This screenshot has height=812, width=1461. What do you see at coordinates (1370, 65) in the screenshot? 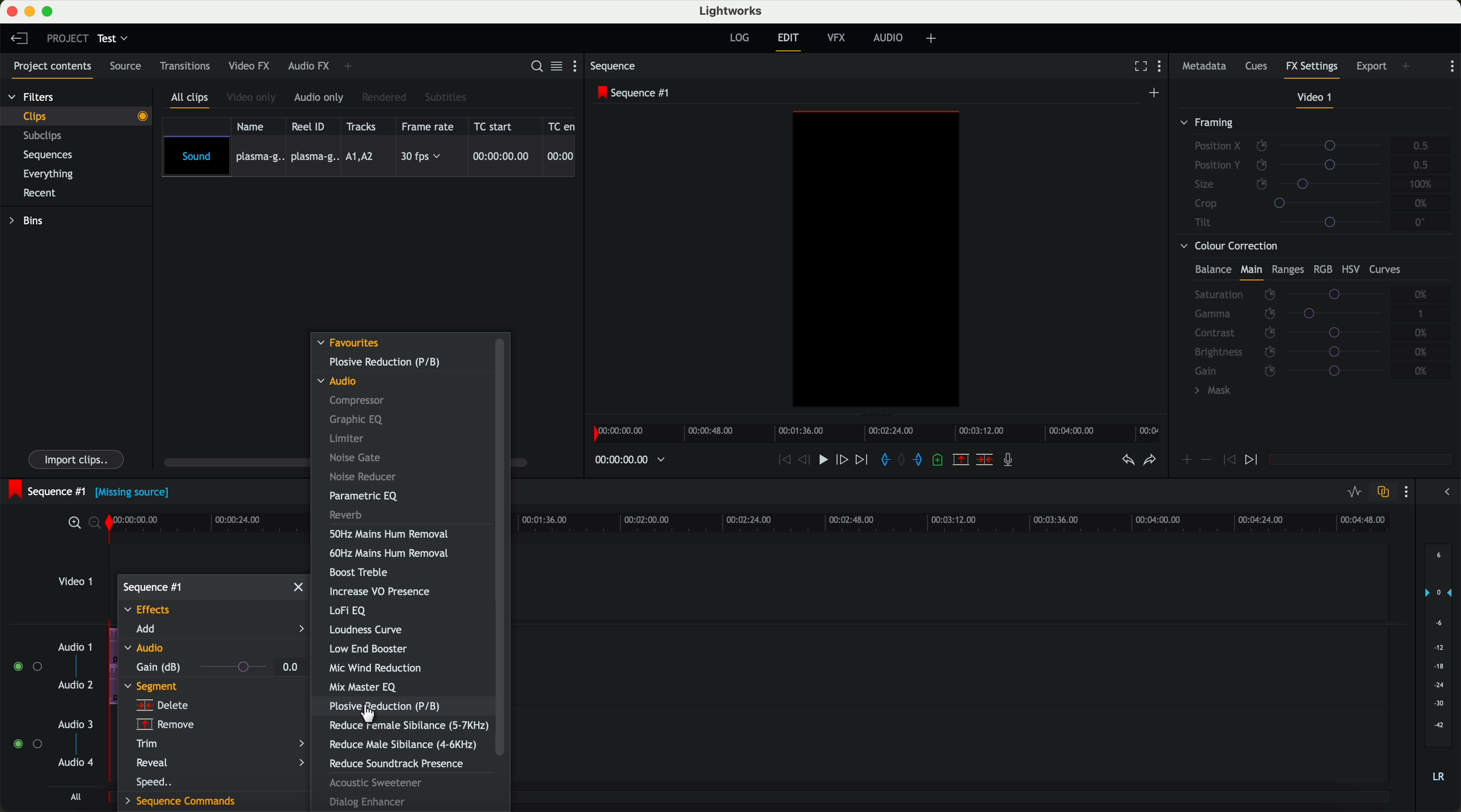
I see `export` at bounding box center [1370, 65].